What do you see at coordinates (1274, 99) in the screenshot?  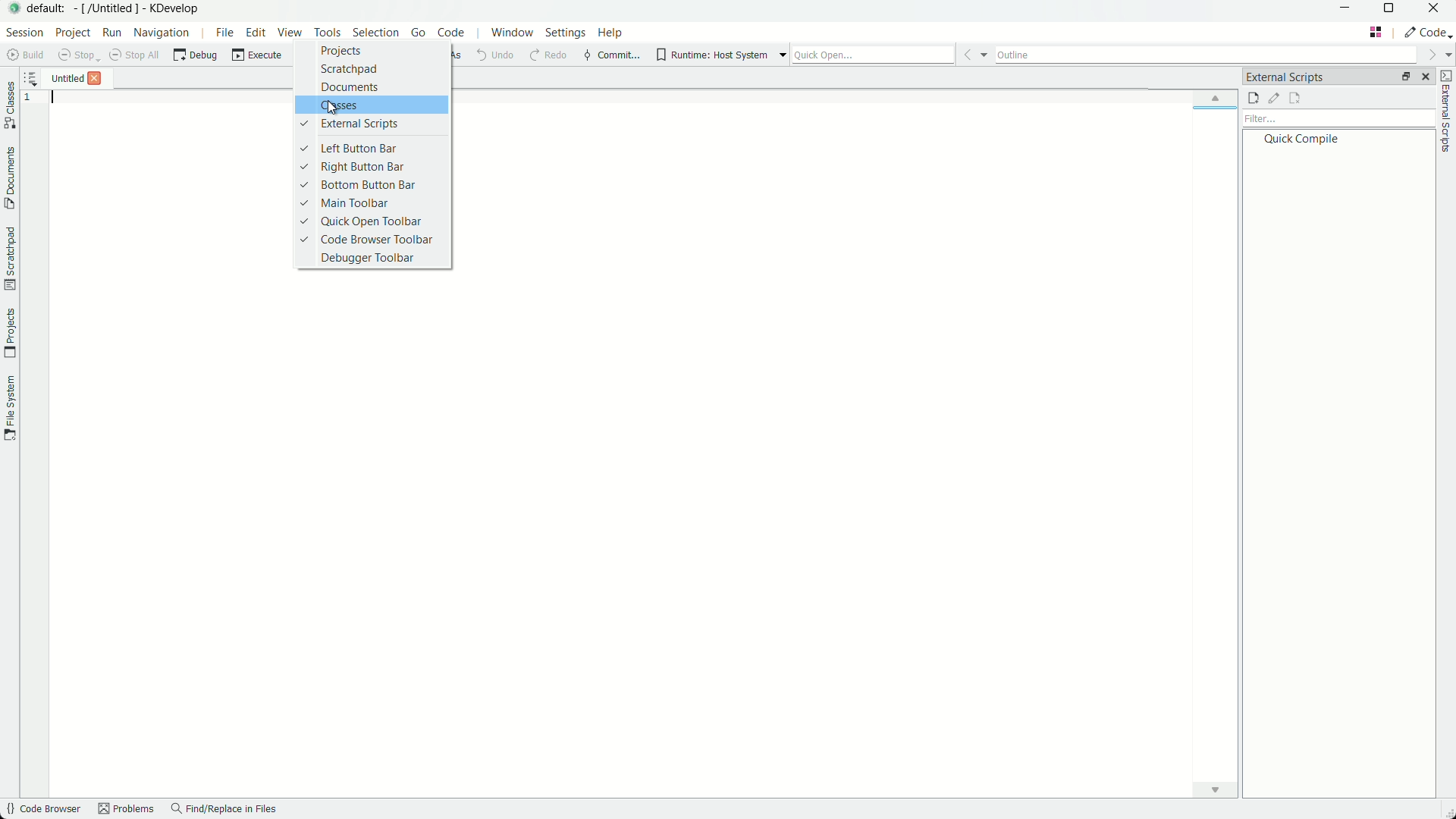 I see `edit external scripts` at bounding box center [1274, 99].